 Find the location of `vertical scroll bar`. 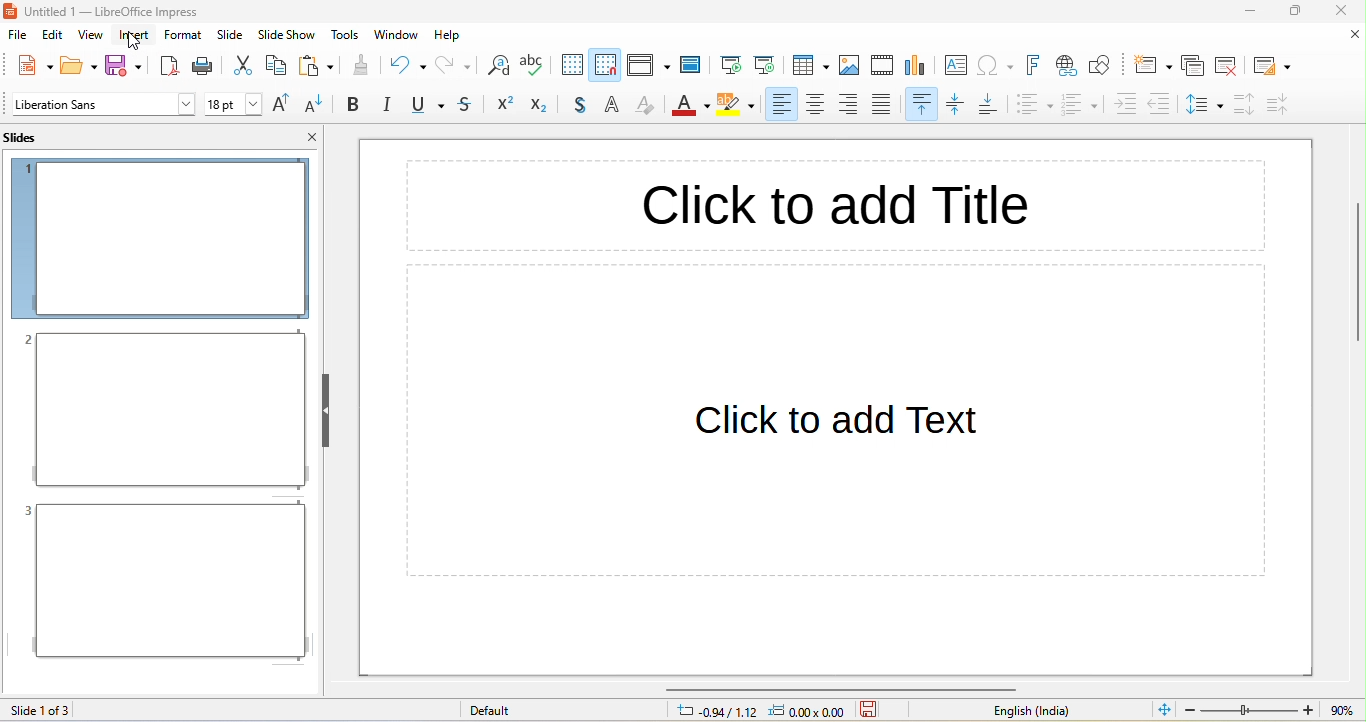

vertical scroll bar is located at coordinates (1355, 272).